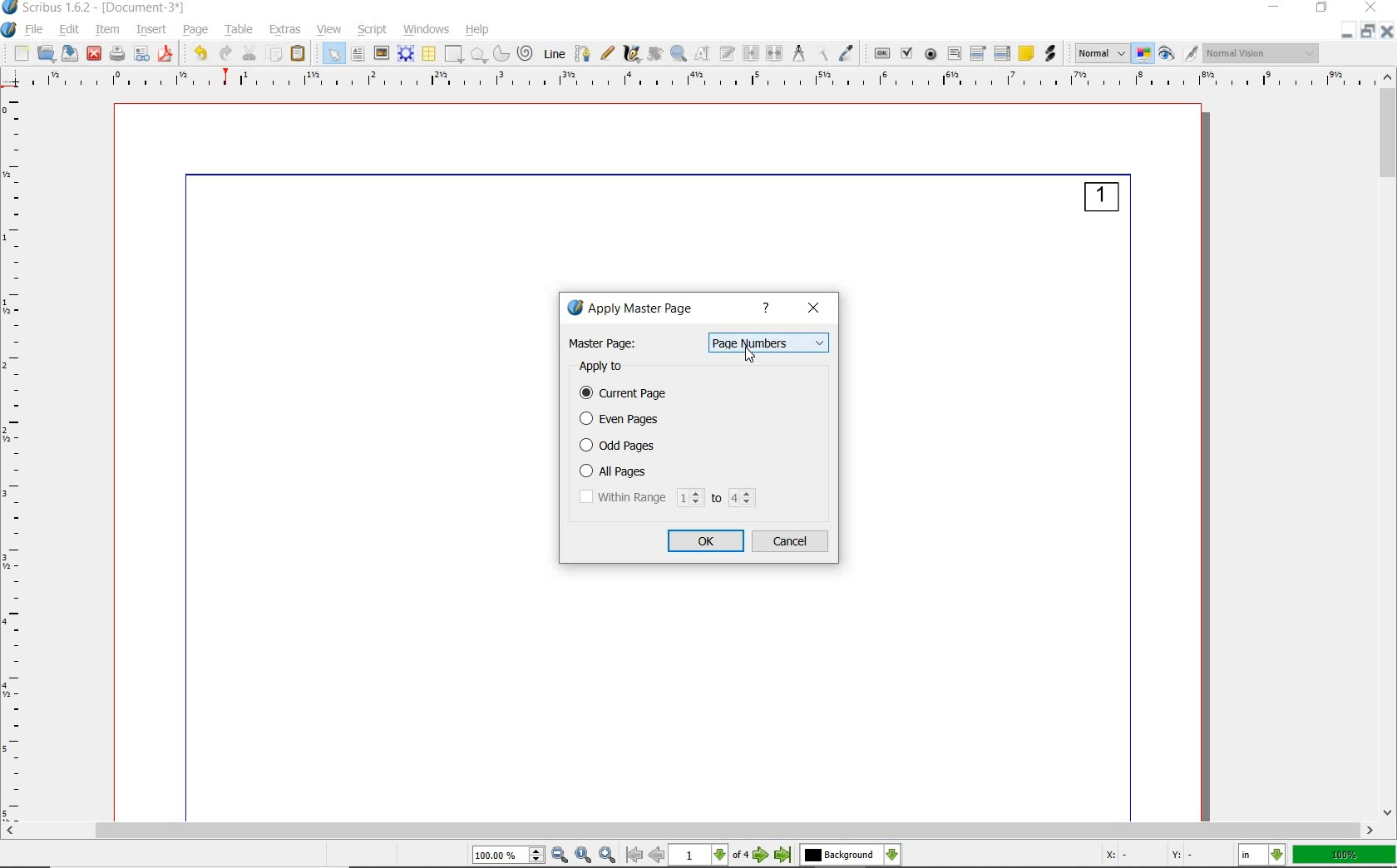  Describe the element at coordinates (798, 54) in the screenshot. I see `measurements` at that location.